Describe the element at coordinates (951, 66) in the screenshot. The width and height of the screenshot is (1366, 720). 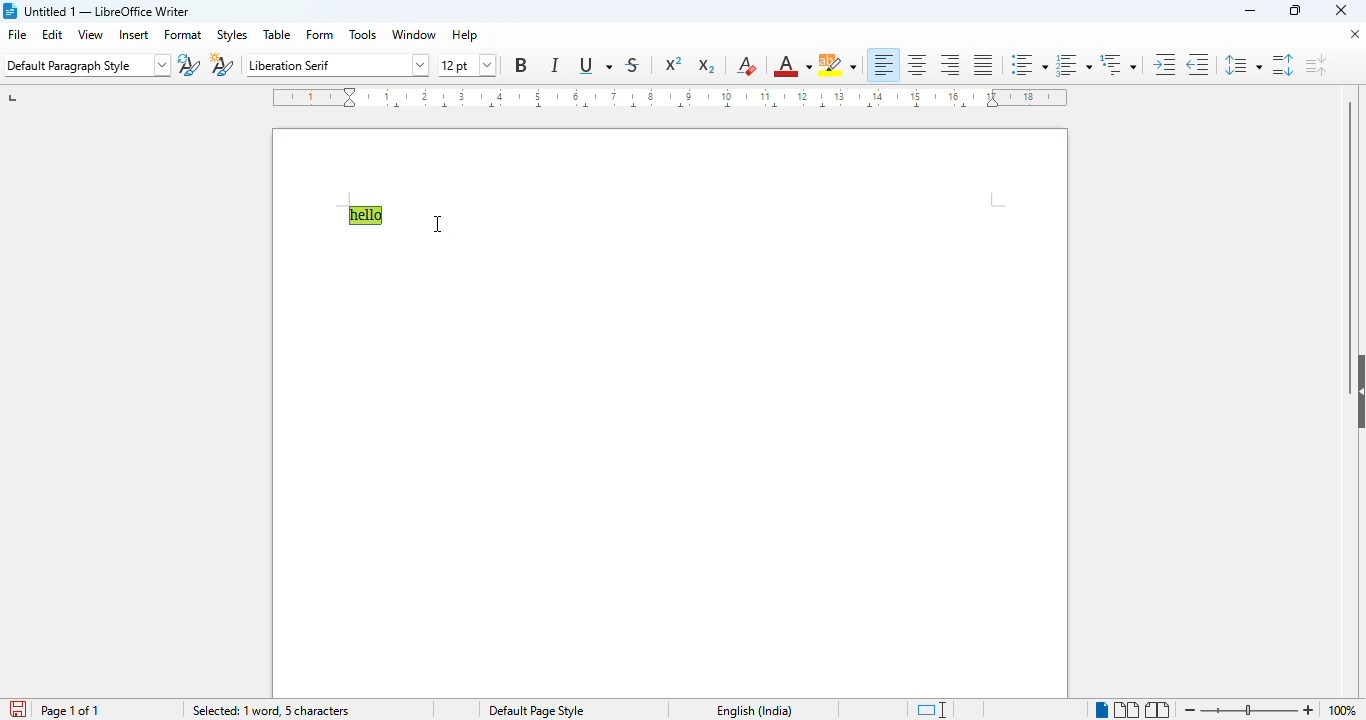
I see `align right` at that location.